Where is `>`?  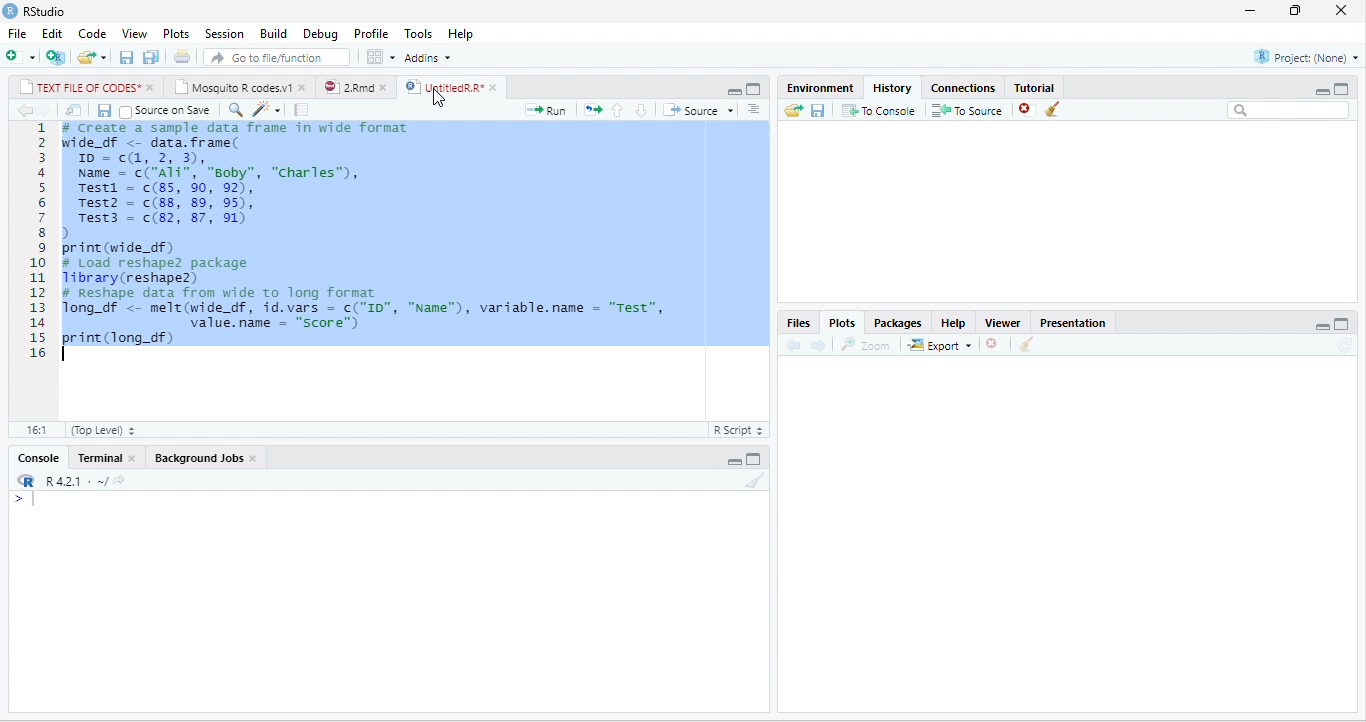 > is located at coordinates (24, 499).